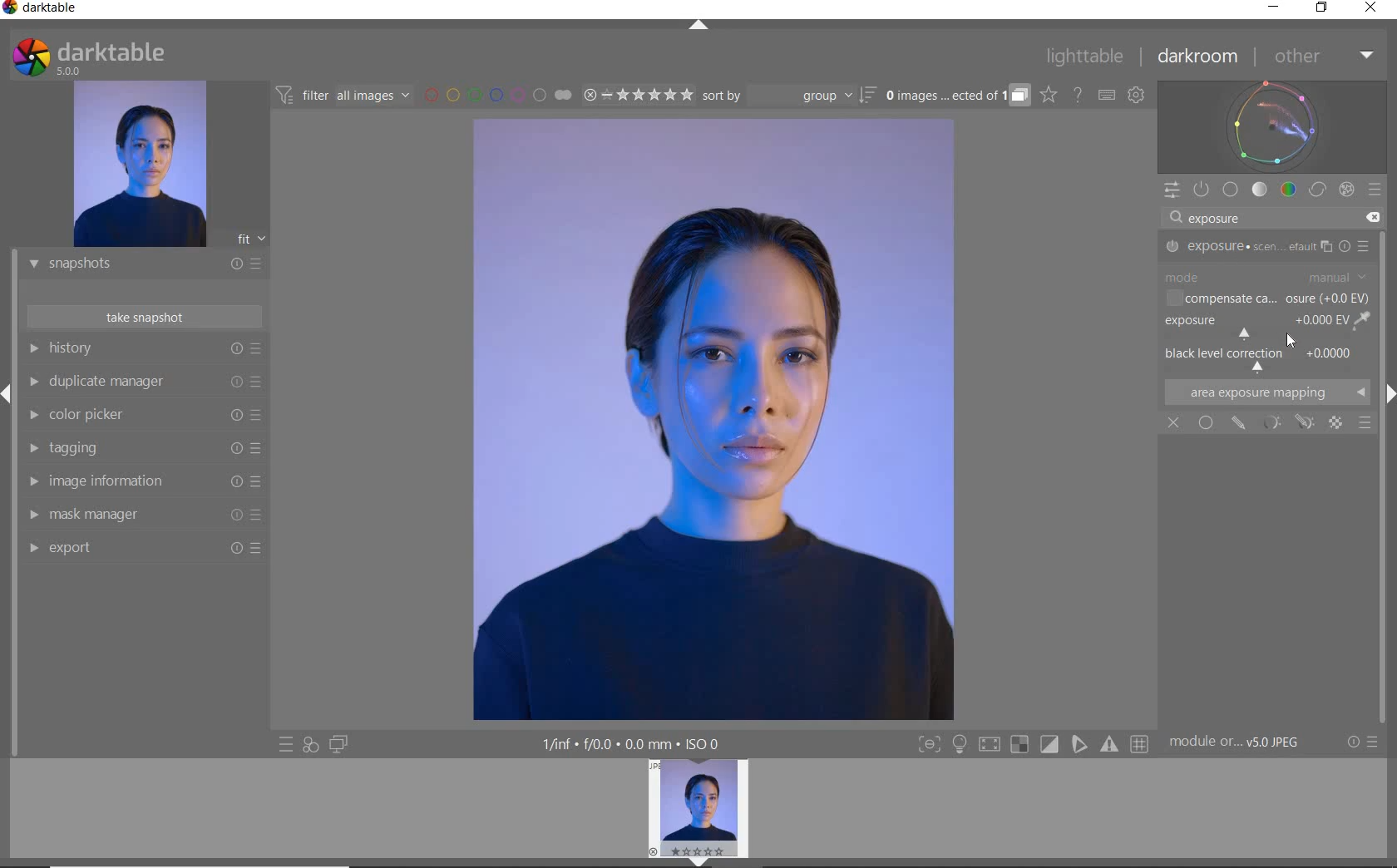 The height and width of the screenshot is (868, 1397). I want to click on INPUT VALUE, so click(1217, 220).